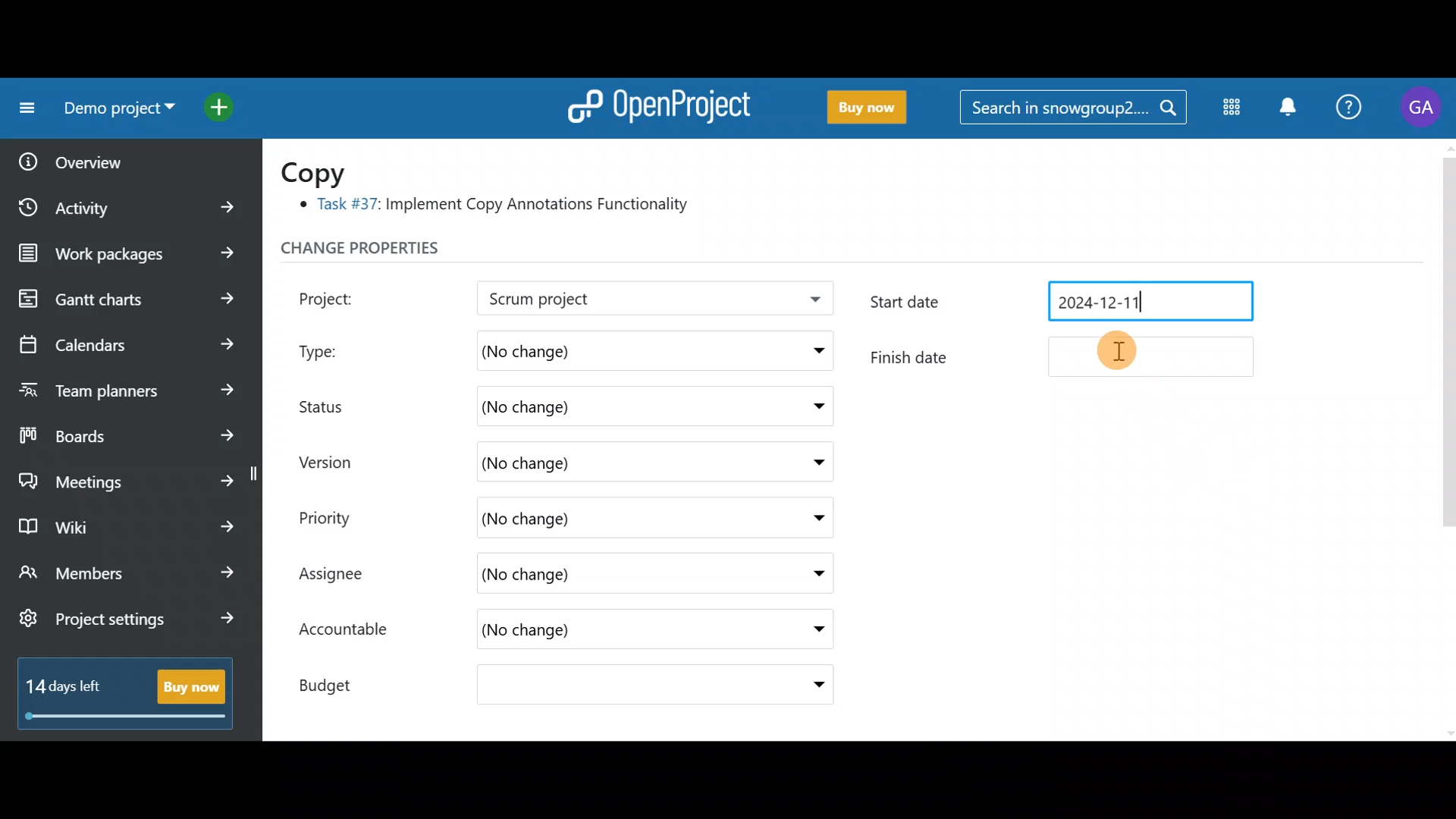  I want to click on (No change), so click(601, 460).